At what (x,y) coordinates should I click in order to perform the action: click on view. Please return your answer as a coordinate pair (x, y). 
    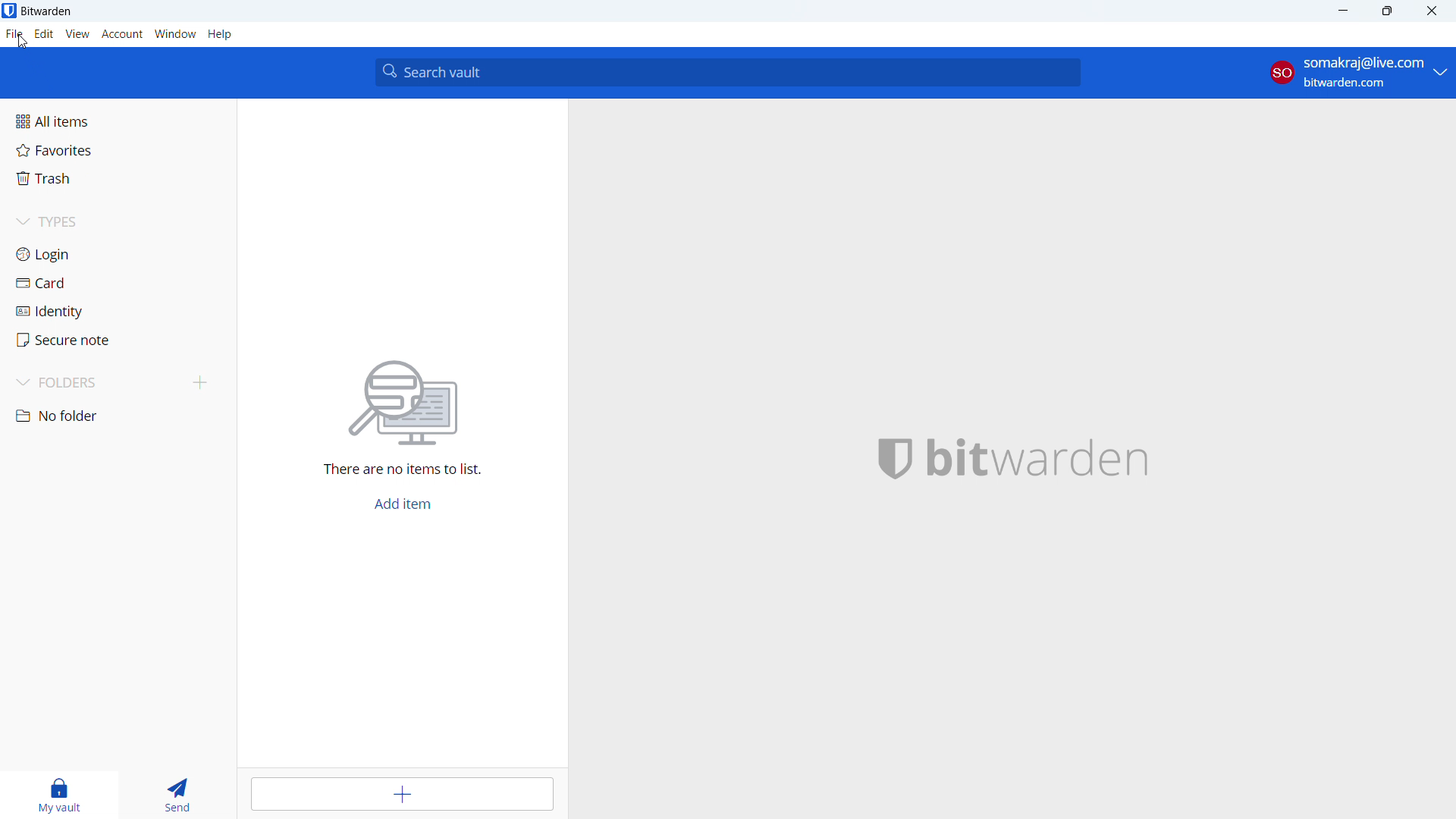
    Looking at the image, I should click on (78, 34).